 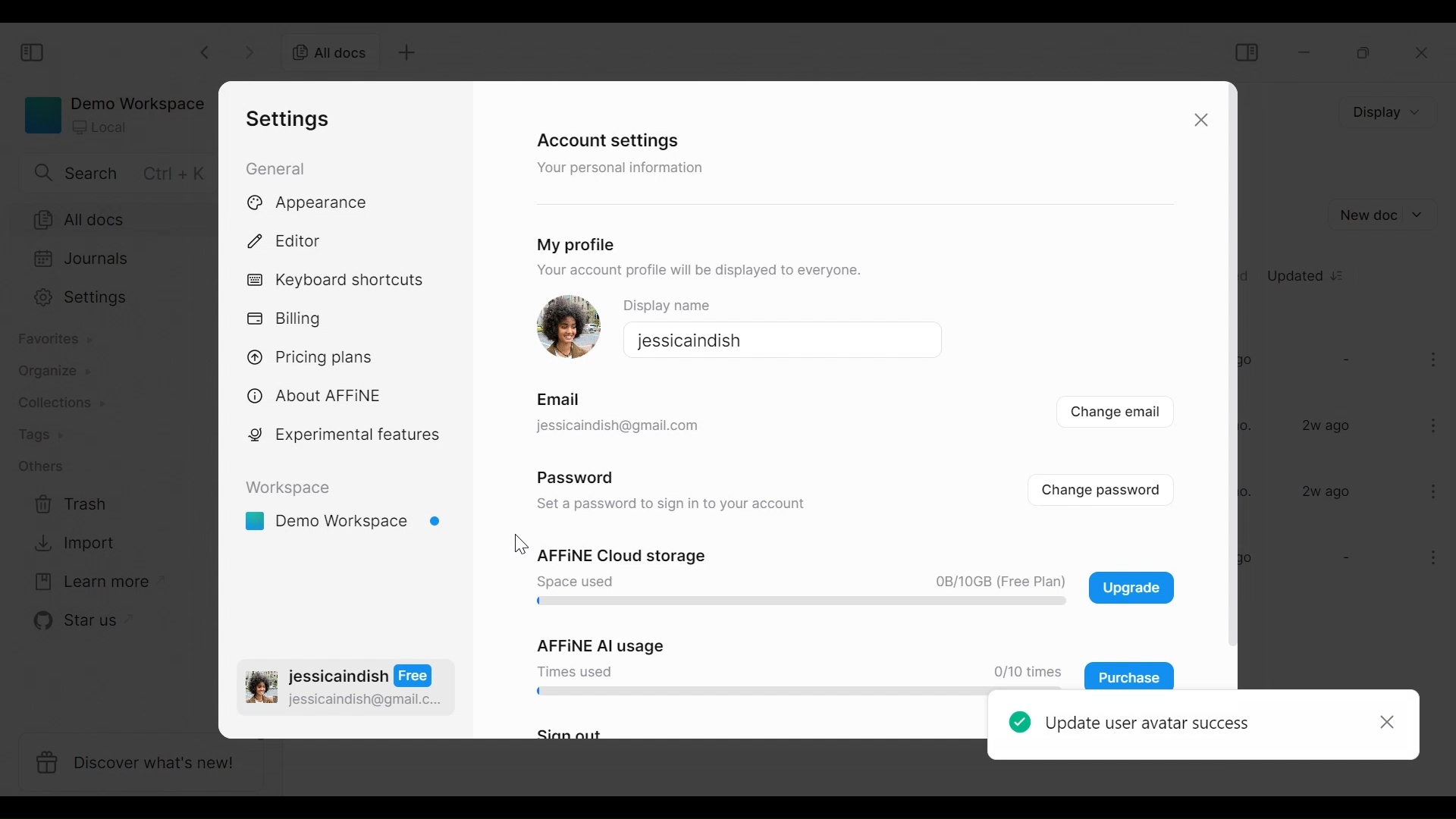 I want to click on Go Forward, so click(x=246, y=52).